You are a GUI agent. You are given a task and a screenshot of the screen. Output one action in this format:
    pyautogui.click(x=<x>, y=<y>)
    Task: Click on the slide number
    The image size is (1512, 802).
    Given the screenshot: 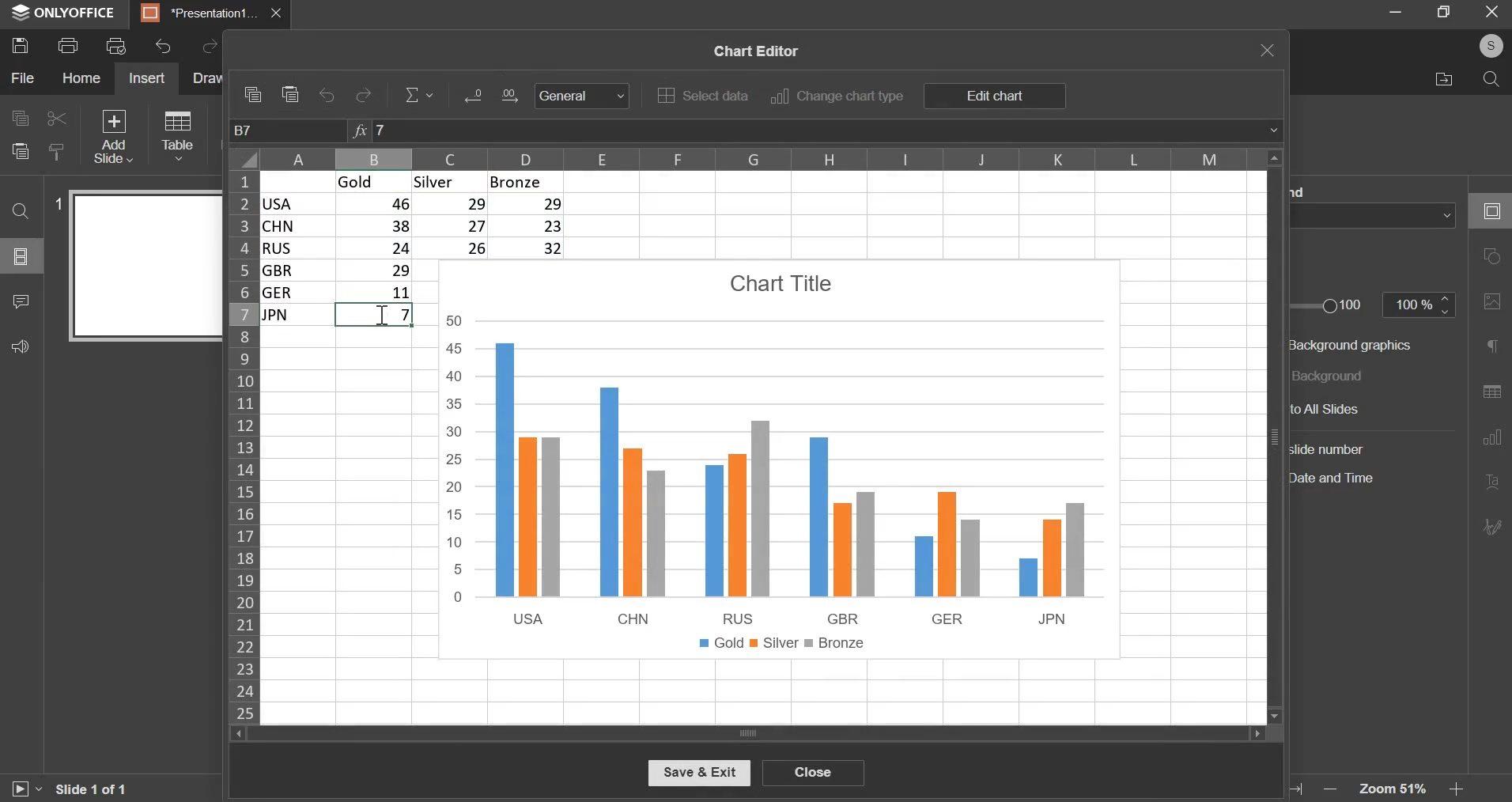 What is the action you would take?
    pyautogui.click(x=1331, y=448)
    